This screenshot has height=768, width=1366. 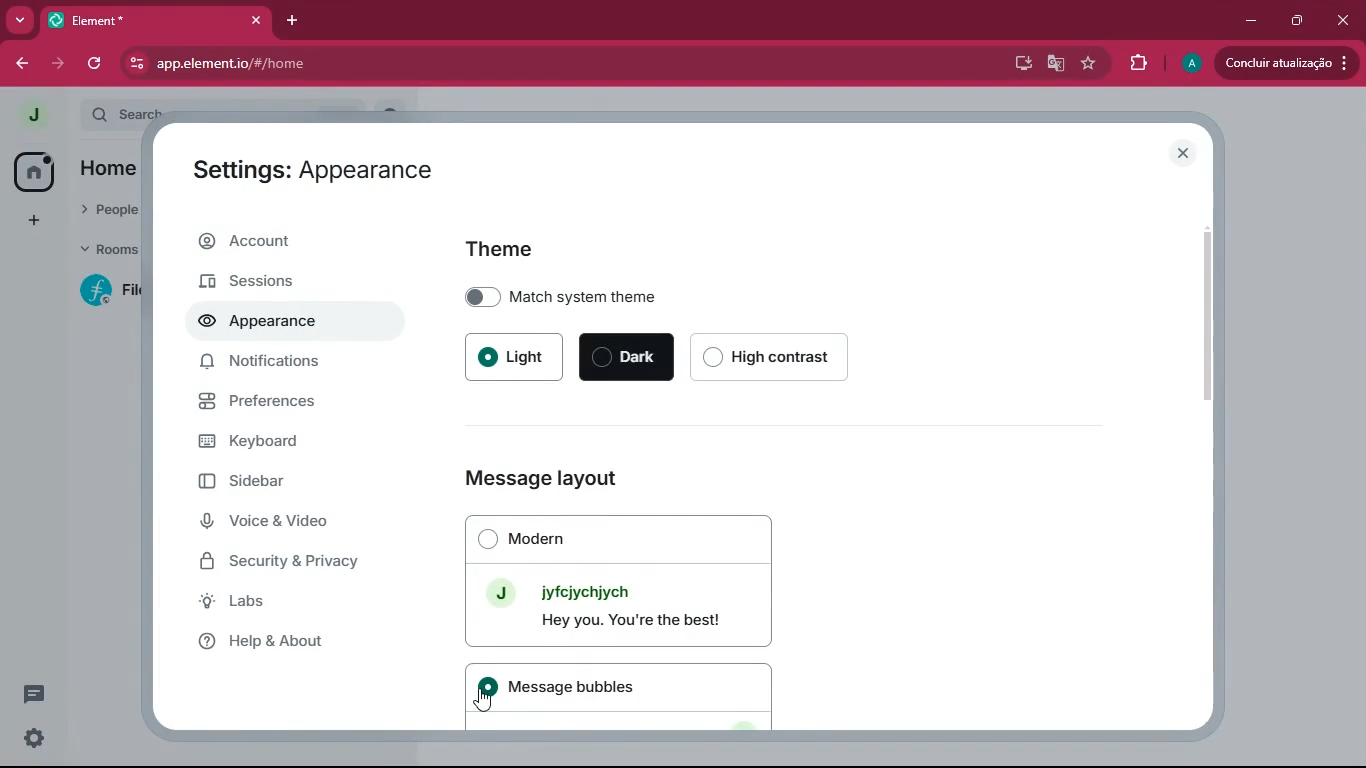 I want to click on J Jyfeiychiych Hey you. You're the best!, so click(x=621, y=607).